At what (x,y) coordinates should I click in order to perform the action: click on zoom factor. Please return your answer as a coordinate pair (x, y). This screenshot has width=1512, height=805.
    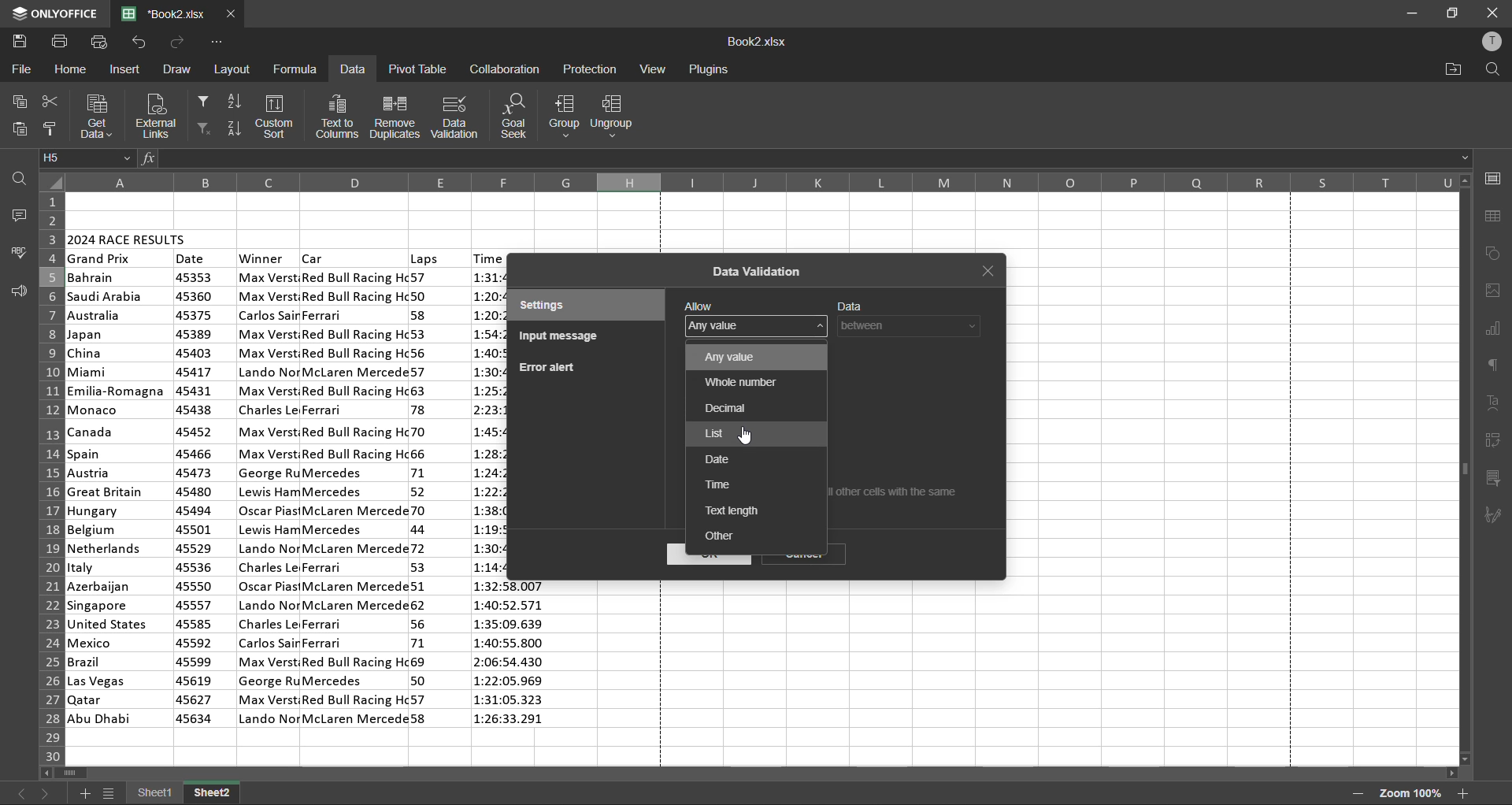
    Looking at the image, I should click on (1409, 793).